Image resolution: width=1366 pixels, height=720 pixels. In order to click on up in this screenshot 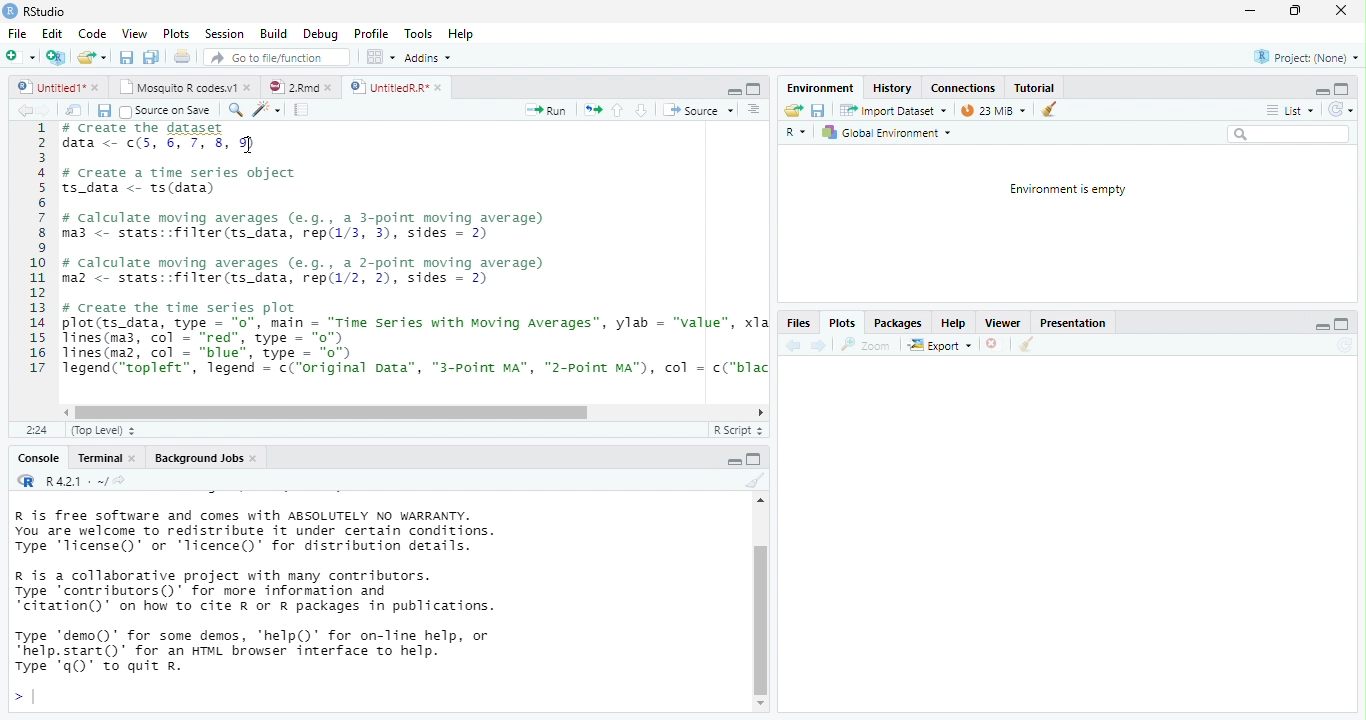, I will do `click(618, 110)`.